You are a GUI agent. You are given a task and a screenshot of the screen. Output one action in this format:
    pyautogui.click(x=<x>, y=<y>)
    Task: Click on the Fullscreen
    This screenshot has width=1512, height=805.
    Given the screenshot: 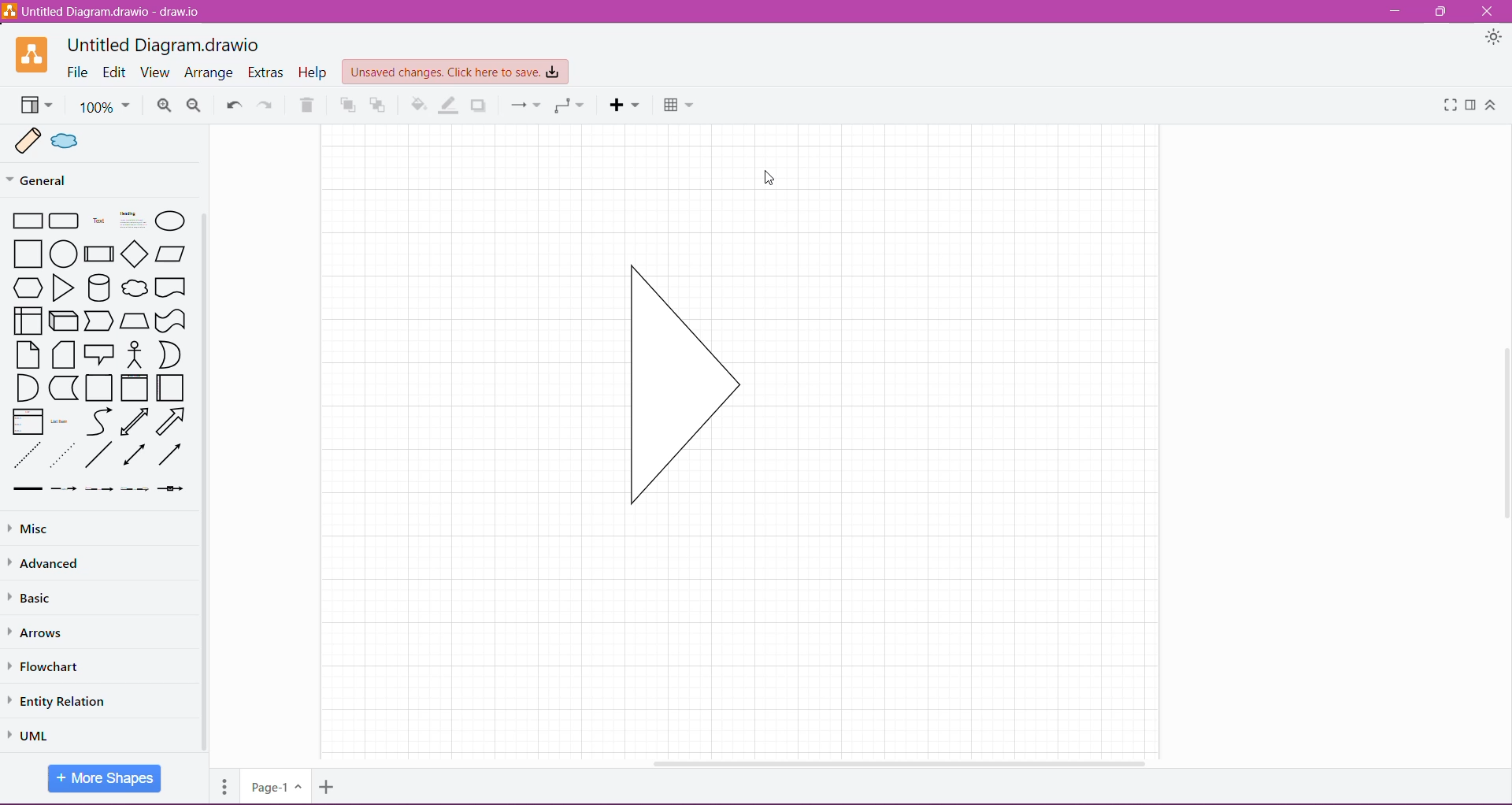 What is the action you would take?
    pyautogui.click(x=1451, y=106)
    